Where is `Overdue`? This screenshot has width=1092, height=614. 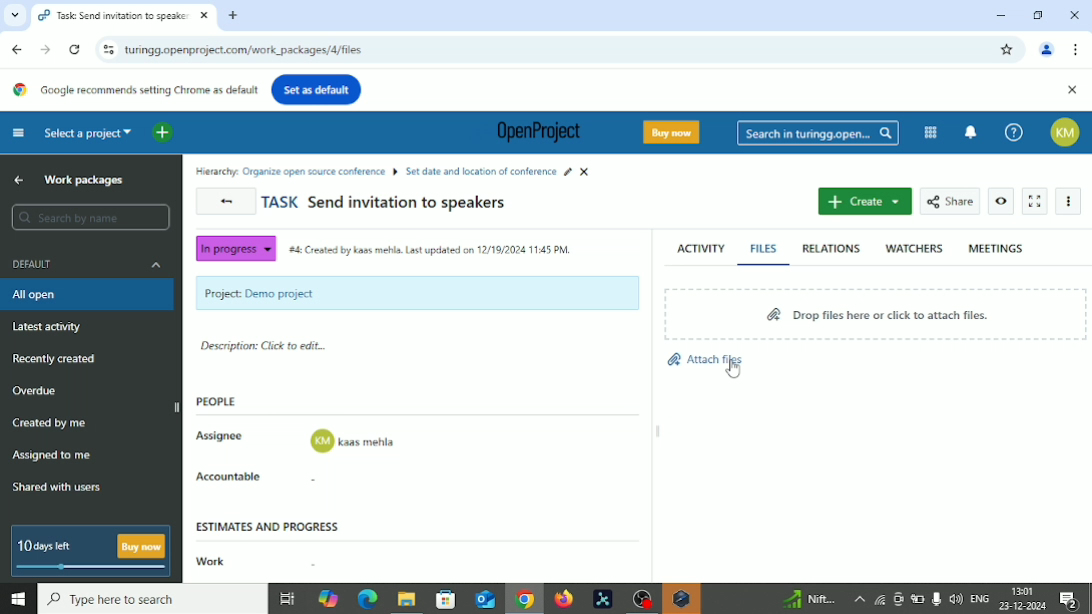 Overdue is located at coordinates (37, 391).